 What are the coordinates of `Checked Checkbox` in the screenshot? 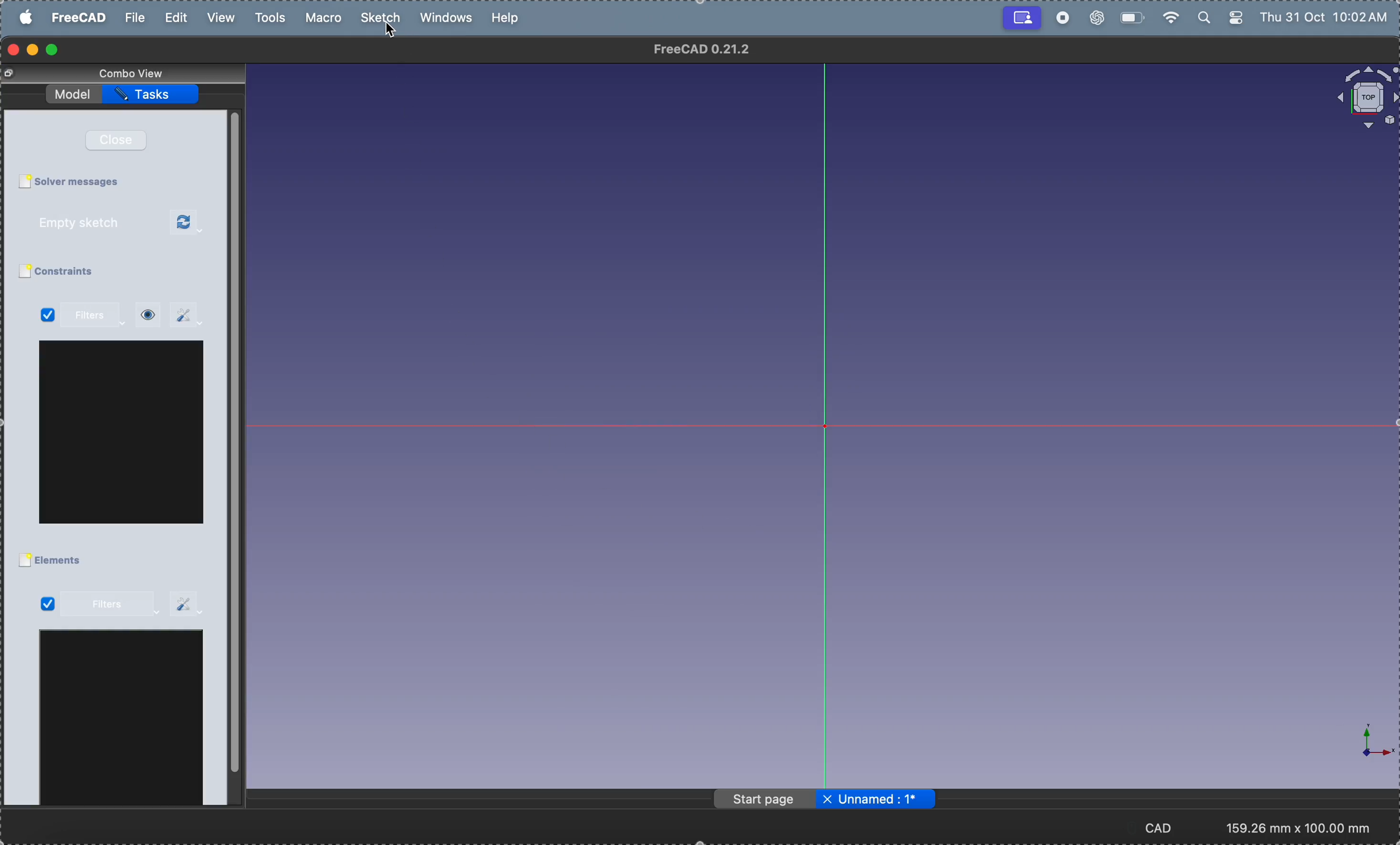 It's located at (48, 316).